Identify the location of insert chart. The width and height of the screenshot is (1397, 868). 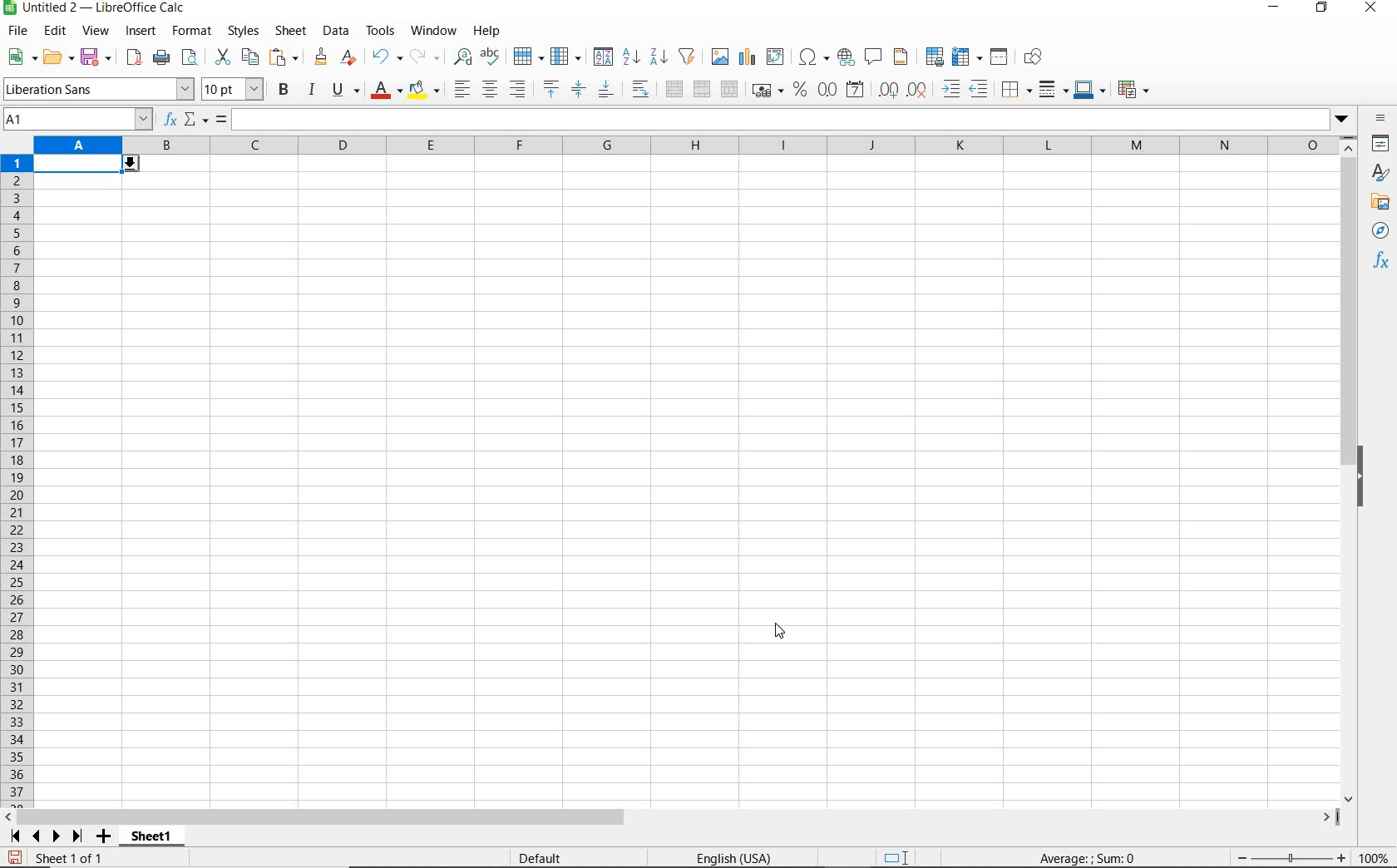
(748, 57).